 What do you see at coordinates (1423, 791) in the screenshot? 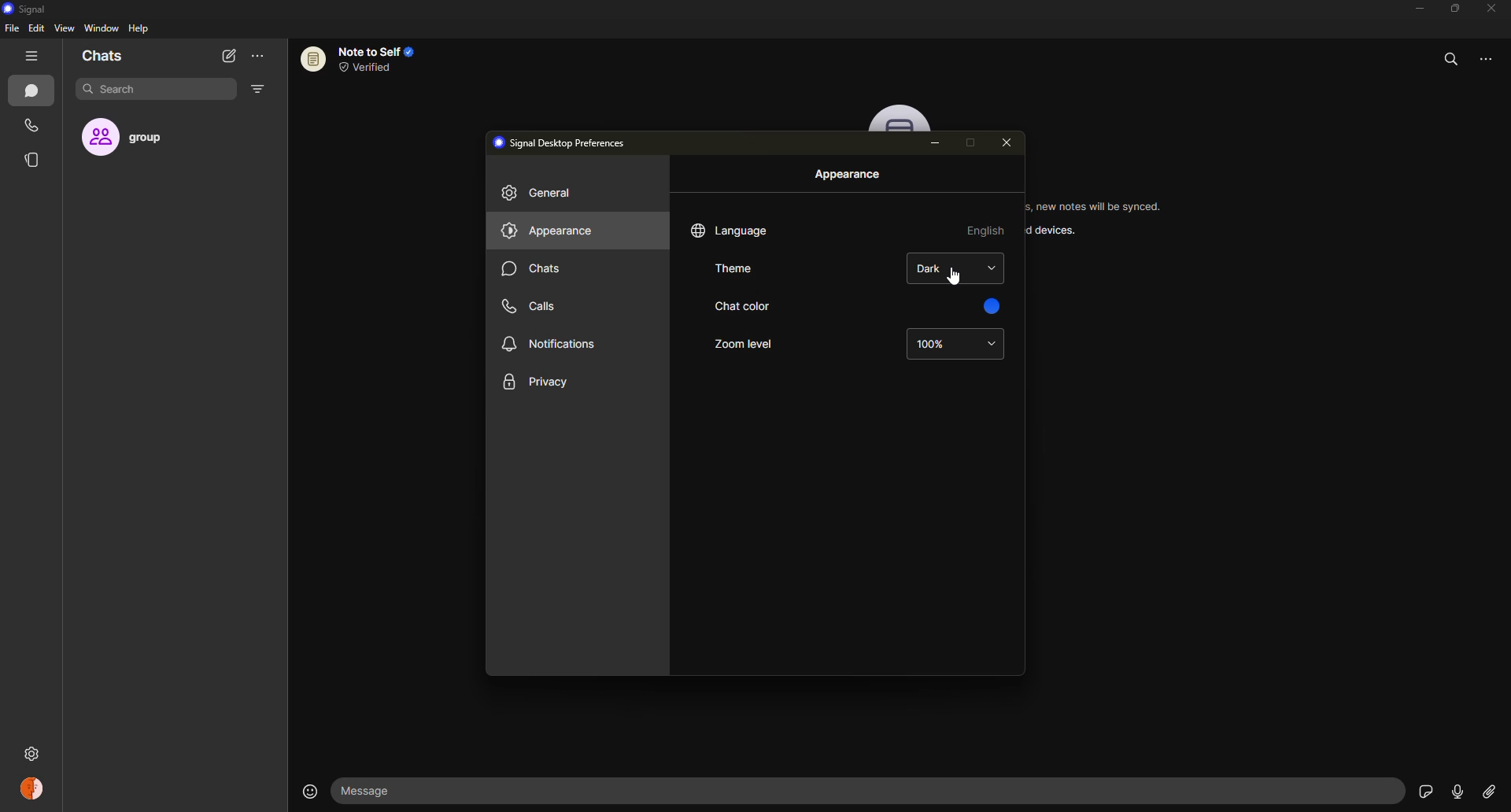
I see `stickers` at bounding box center [1423, 791].